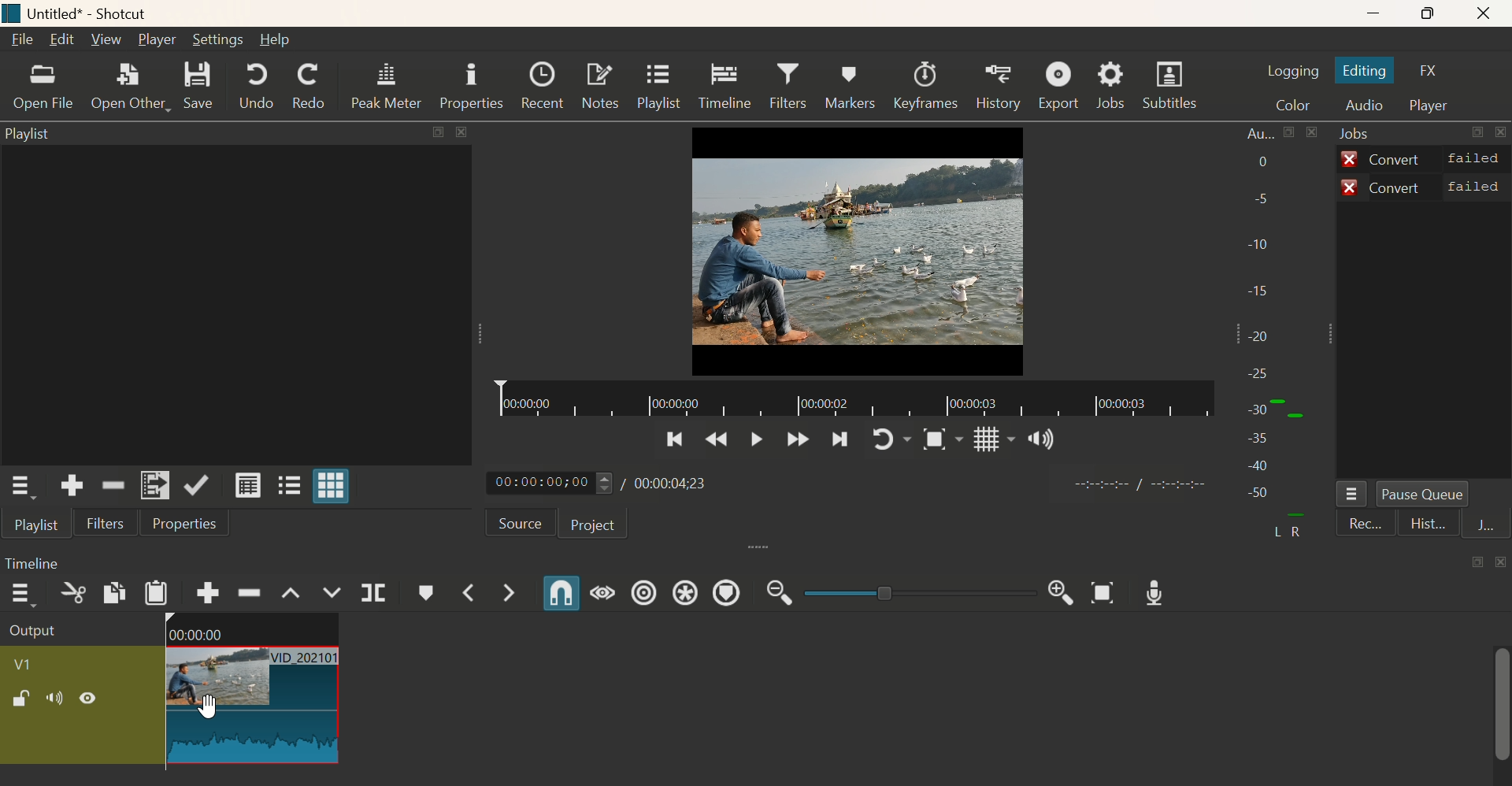 This screenshot has height=786, width=1512. I want to click on Grid, so click(985, 442).